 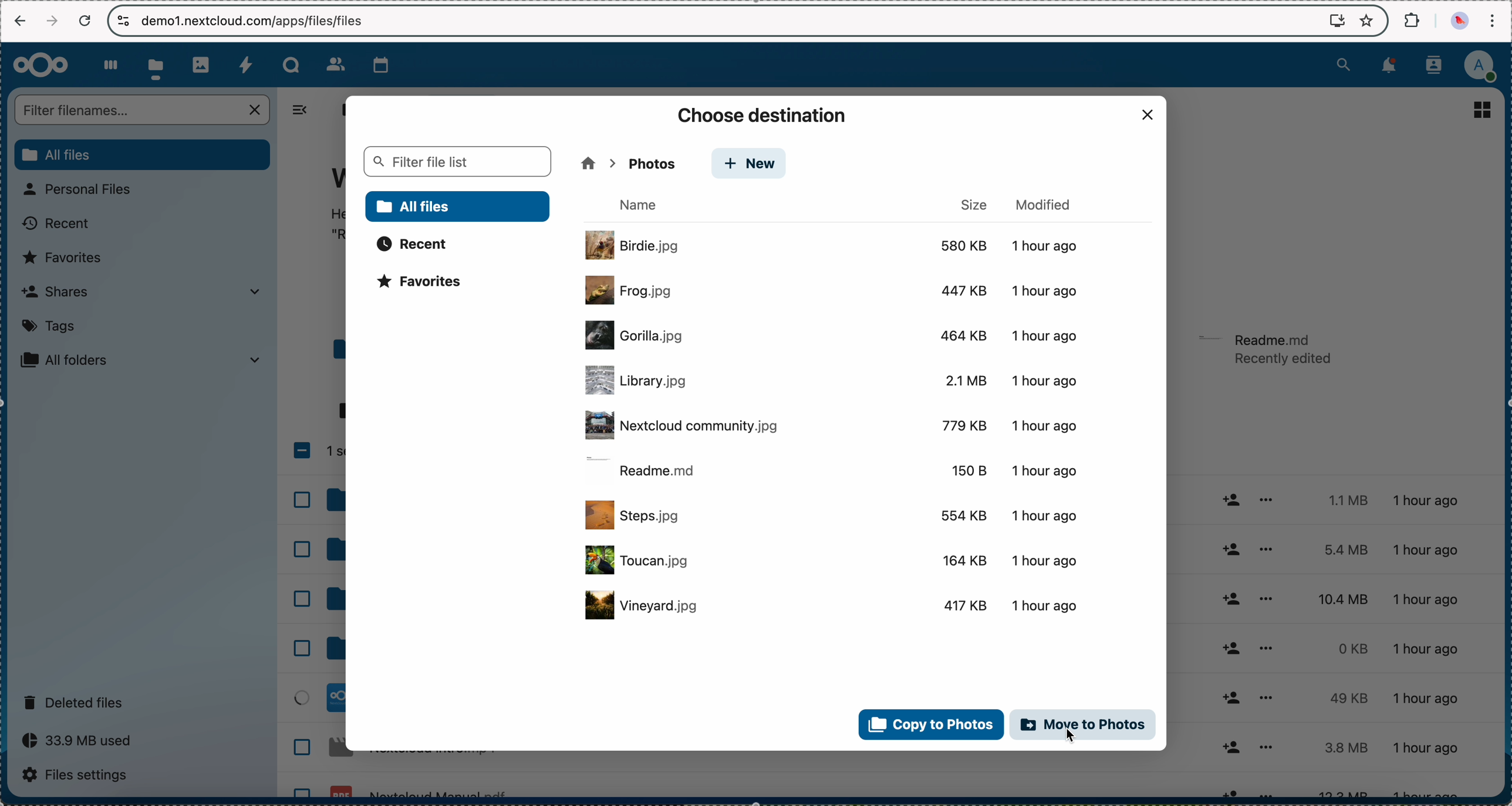 I want to click on Nextcloud logo, so click(x=39, y=65).